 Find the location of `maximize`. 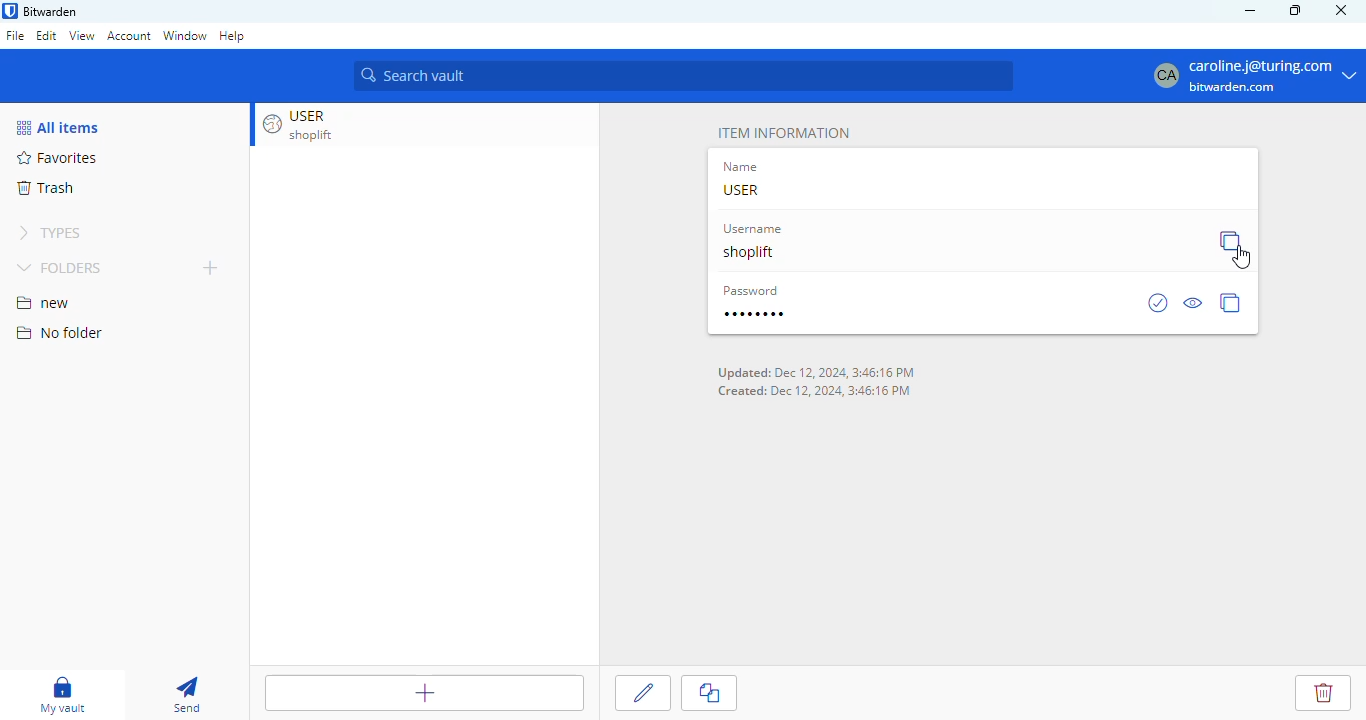

maximize is located at coordinates (1296, 9).